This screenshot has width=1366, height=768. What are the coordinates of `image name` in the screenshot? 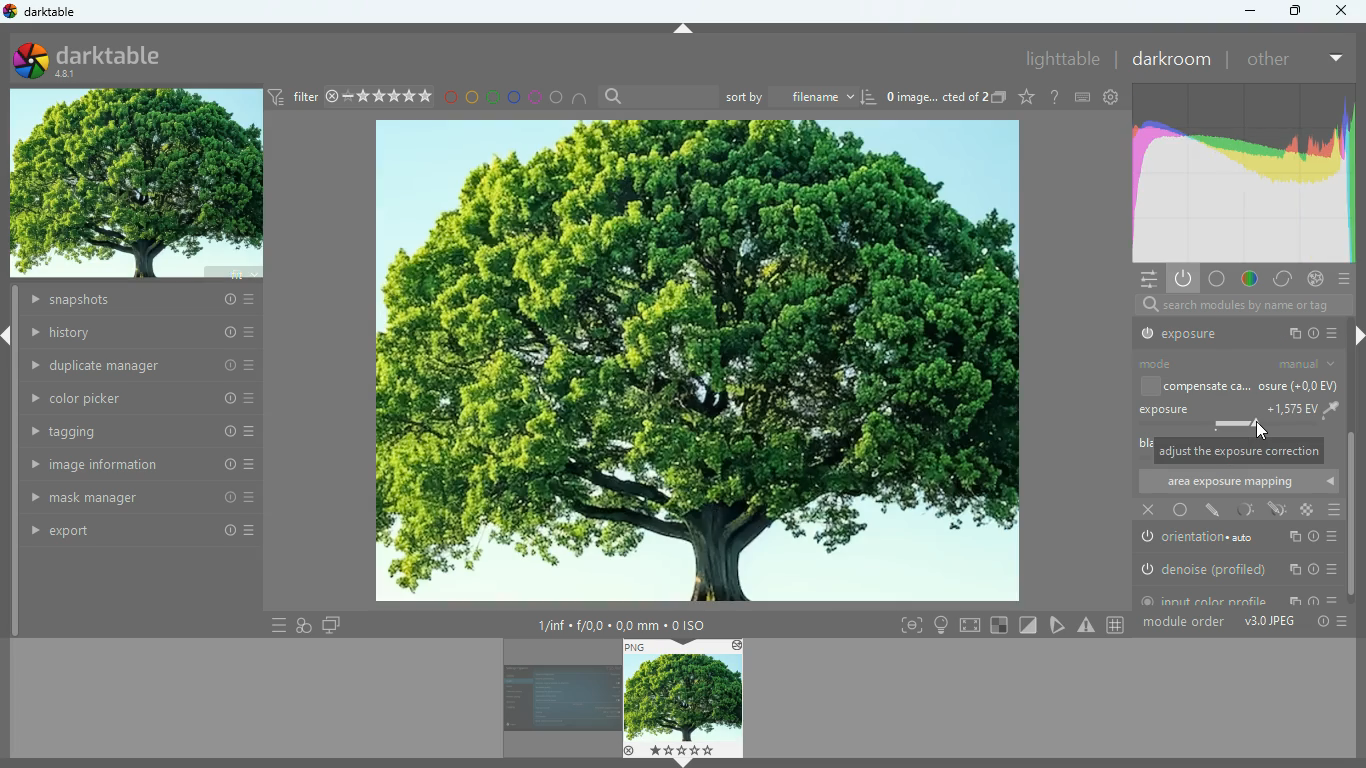 It's located at (937, 99).